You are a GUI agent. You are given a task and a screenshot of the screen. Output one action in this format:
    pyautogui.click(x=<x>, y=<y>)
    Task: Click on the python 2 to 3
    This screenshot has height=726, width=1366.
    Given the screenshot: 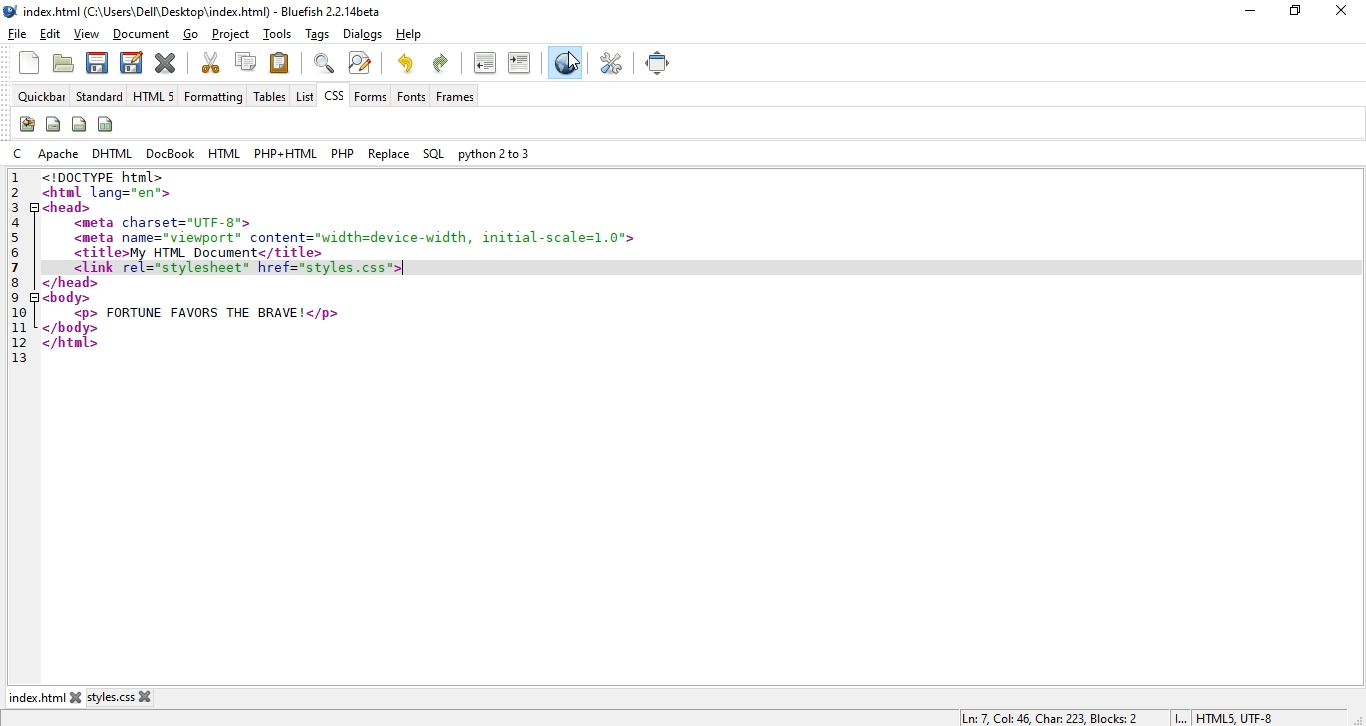 What is the action you would take?
    pyautogui.click(x=492, y=153)
    